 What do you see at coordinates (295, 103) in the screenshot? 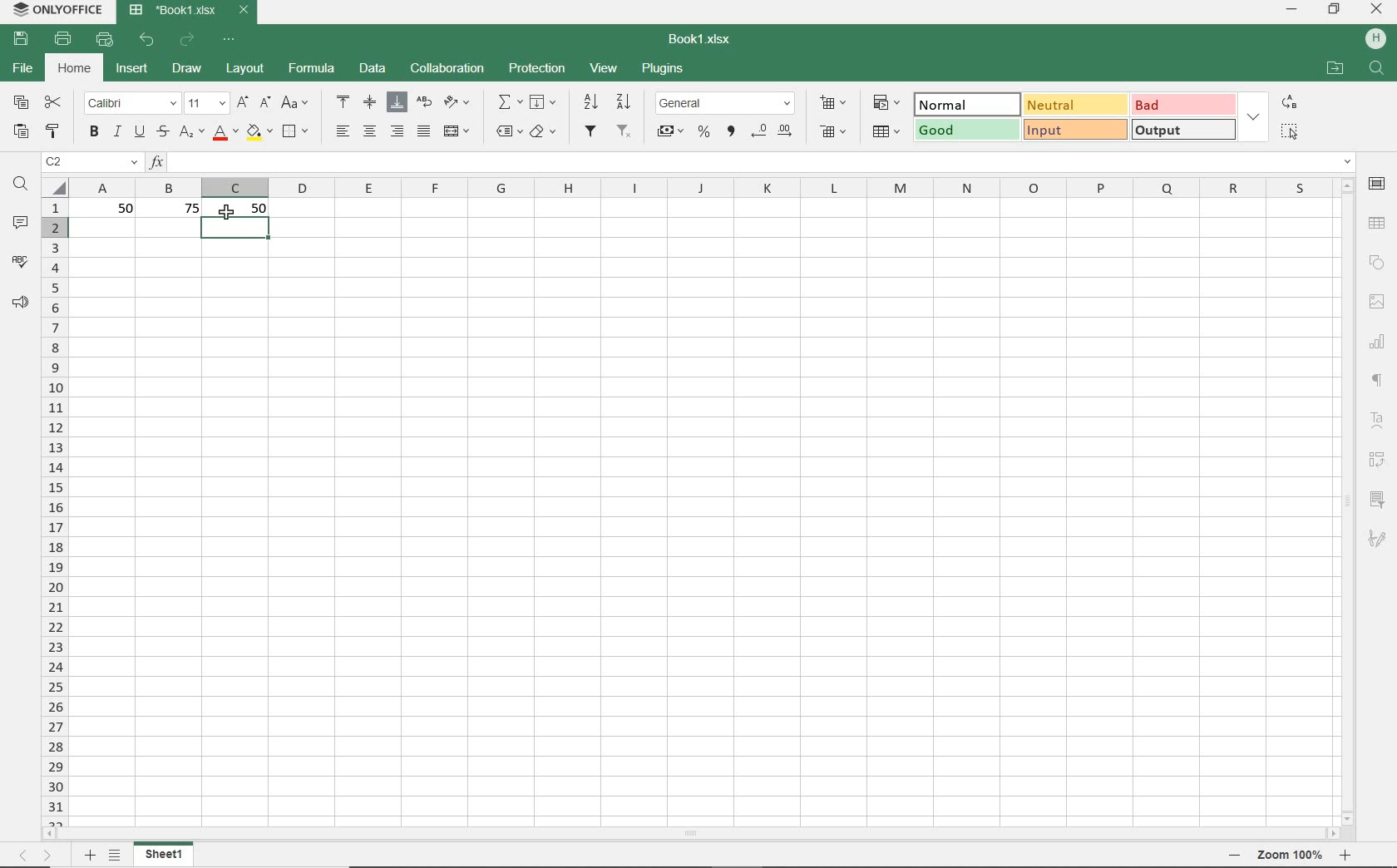
I see `change case` at bounding box center [295, 103].